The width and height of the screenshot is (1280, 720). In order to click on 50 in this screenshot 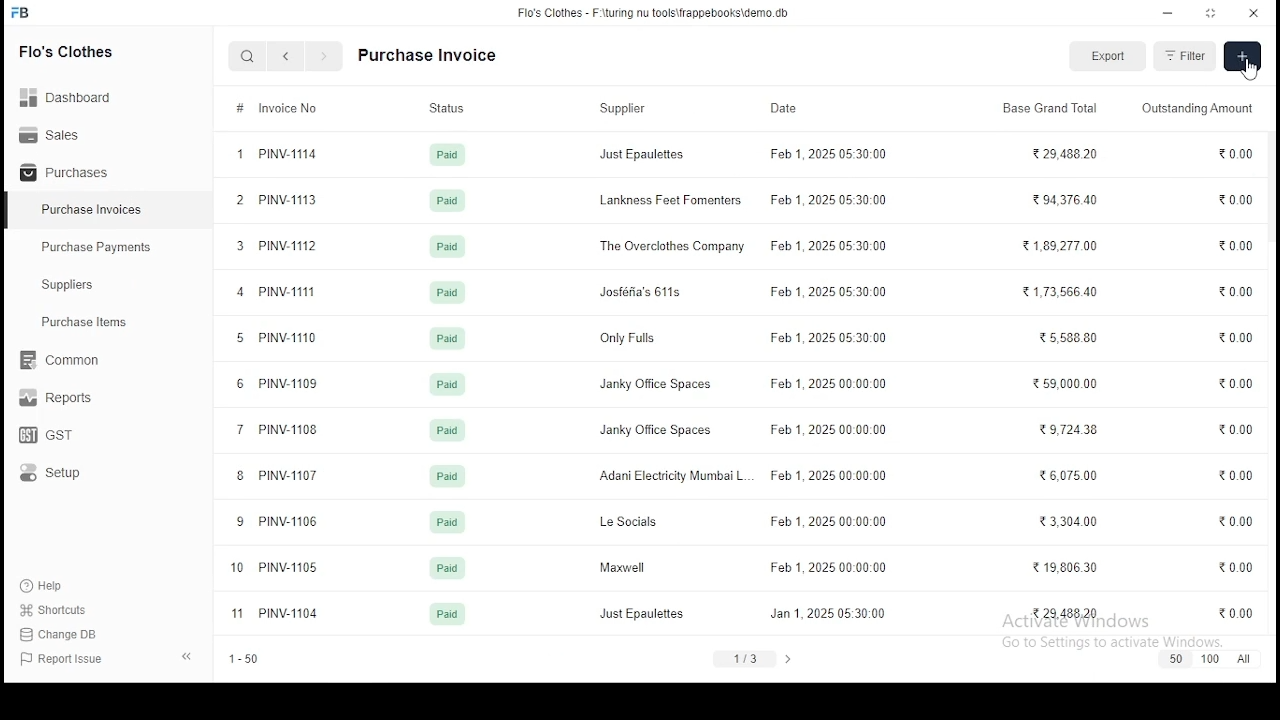, I will do `click(1175, 659)`.